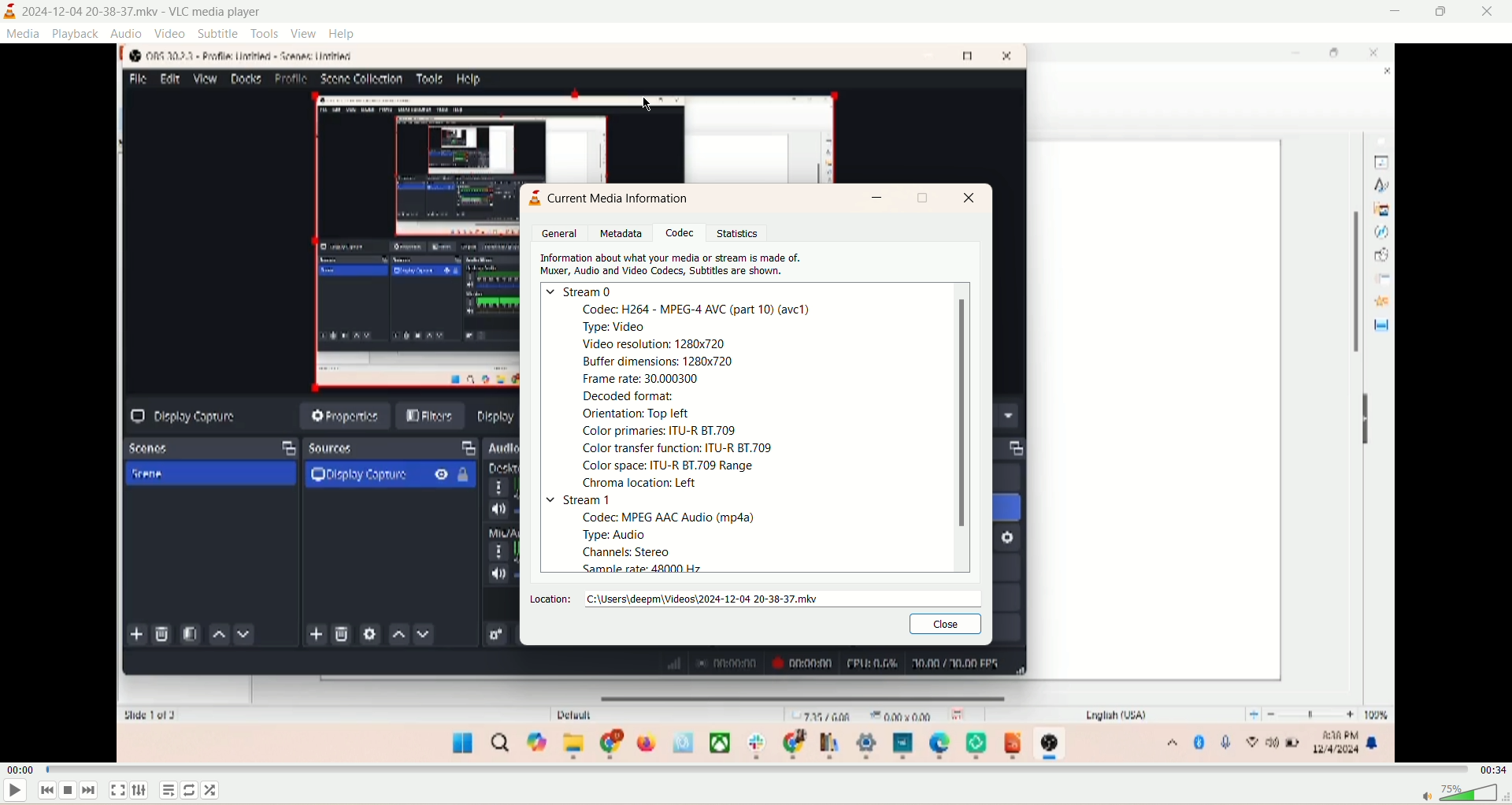 Image resolution: width=1512 pixels, height=805 pixels. Describe the element at coordinates (958, 429) in the screenshot. I see `vertical scroll bar` at that location.